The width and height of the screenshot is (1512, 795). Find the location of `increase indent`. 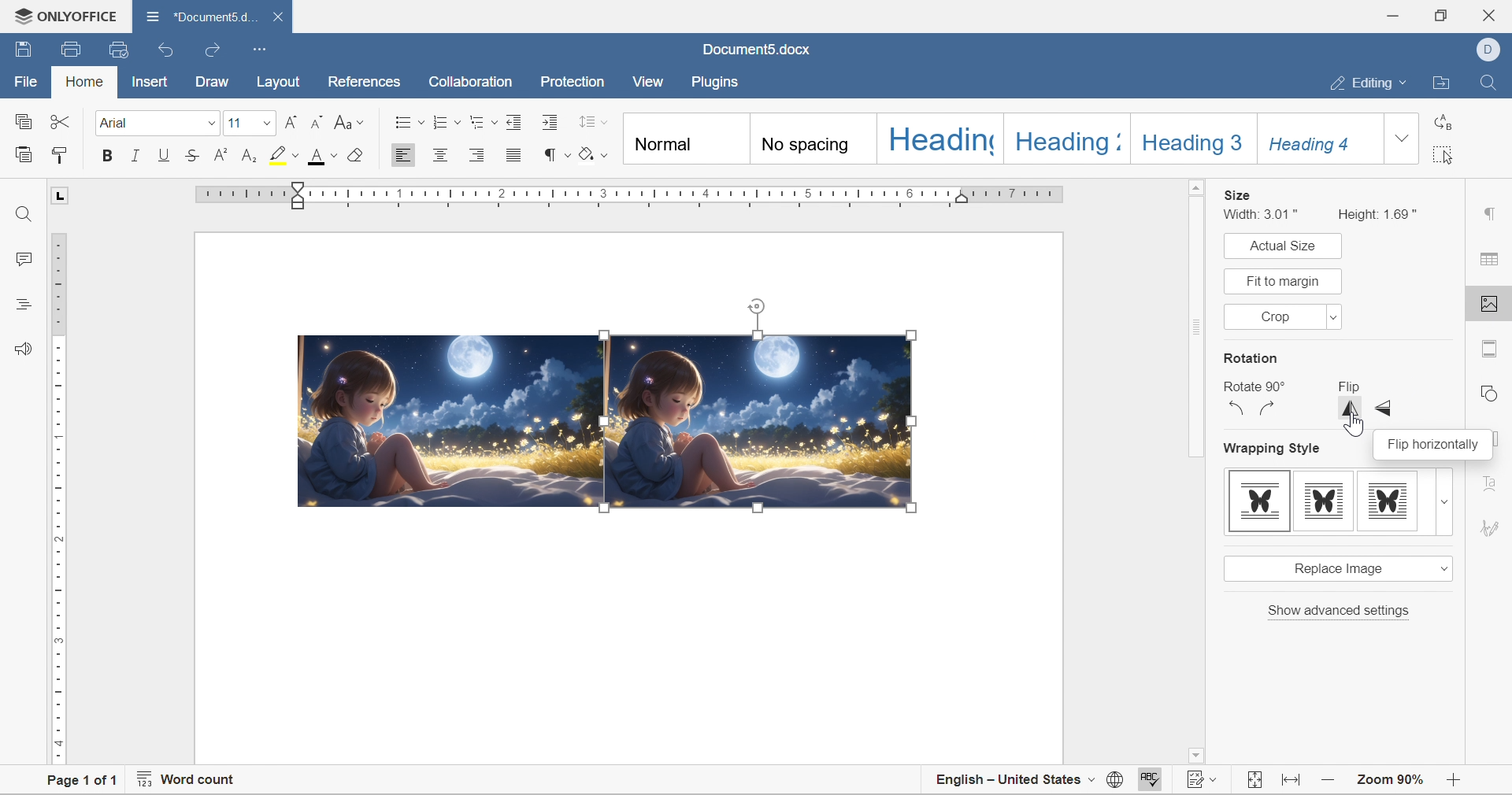

increase indent is located at coordinates (553, 122).